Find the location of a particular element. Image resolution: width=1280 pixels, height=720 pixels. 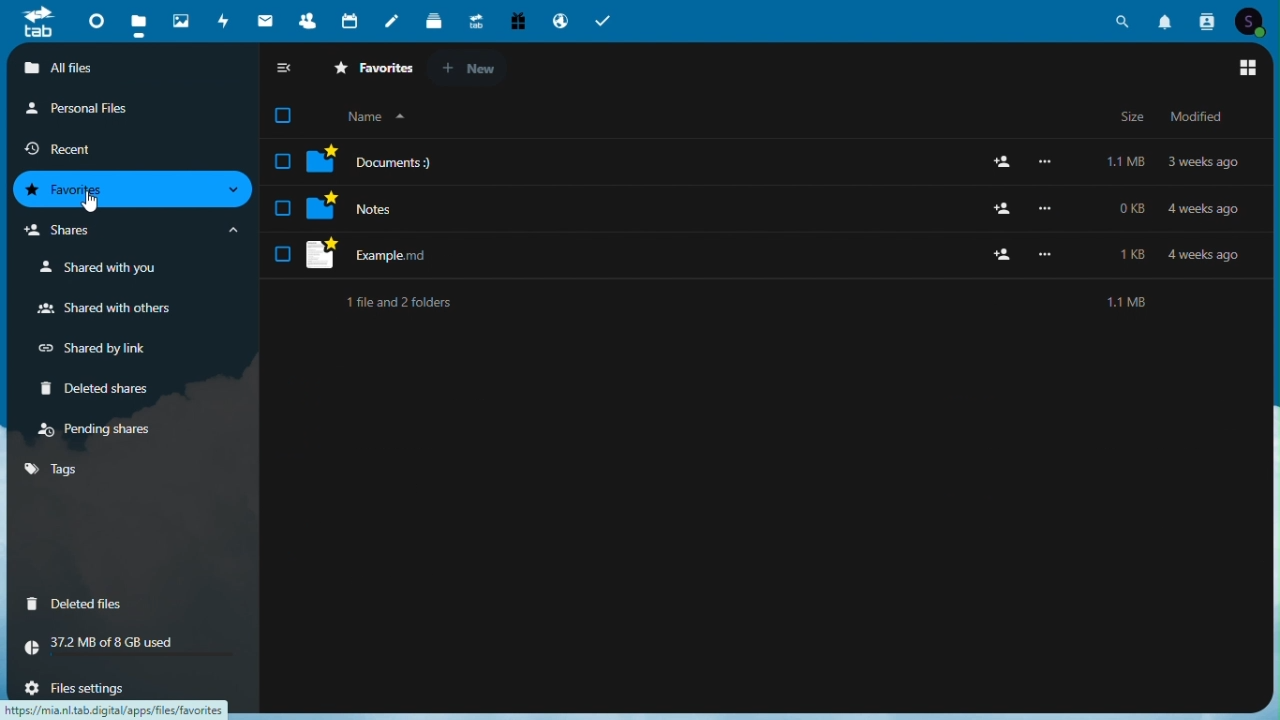

storage is located at coordinates (128, 648).